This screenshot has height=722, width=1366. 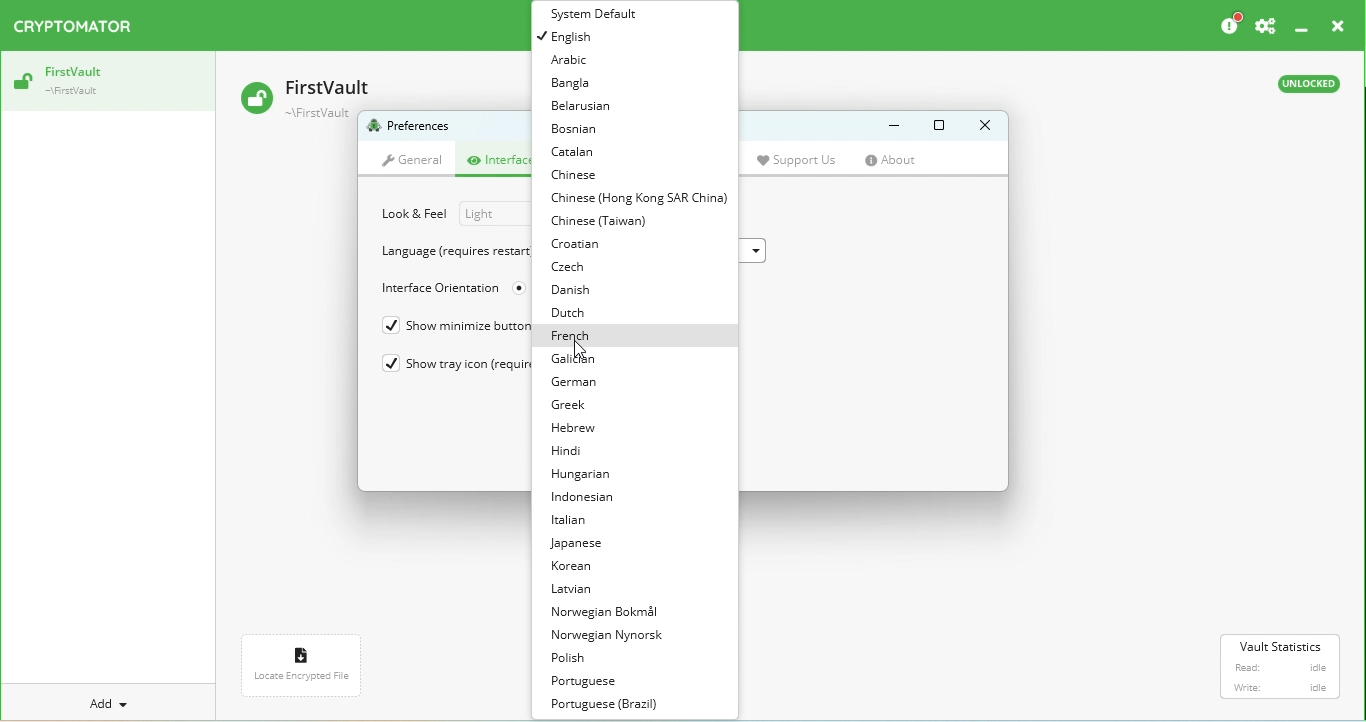 What do you see at coordinates (579, 591) in the screenshot?
I see `Latvian` at bounding box center [579, 591].